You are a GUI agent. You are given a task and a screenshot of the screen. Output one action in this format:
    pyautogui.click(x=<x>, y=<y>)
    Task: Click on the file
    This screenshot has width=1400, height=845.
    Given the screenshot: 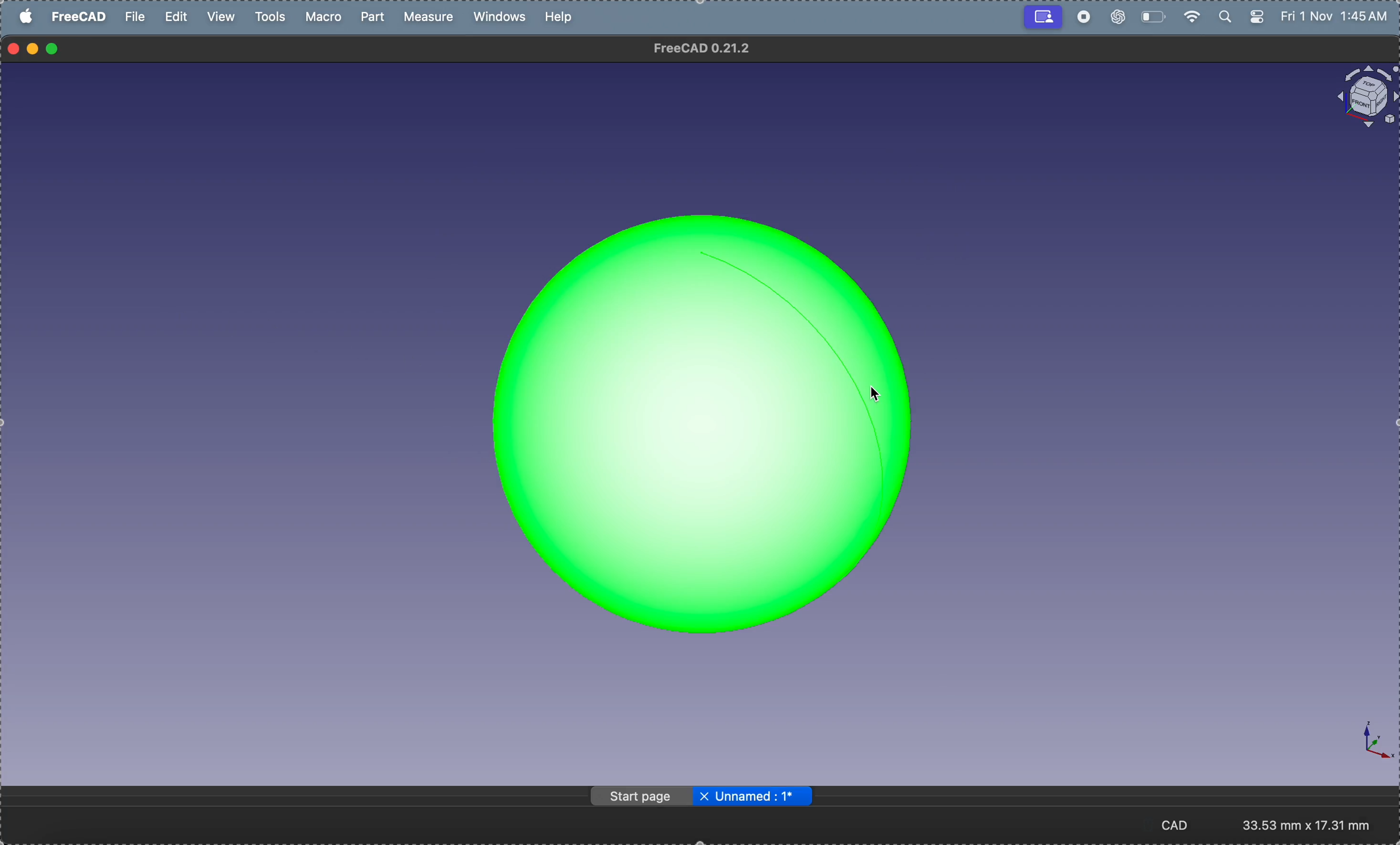 What is the action you would take?
    pyautogui.click(x=137, y=20)
    